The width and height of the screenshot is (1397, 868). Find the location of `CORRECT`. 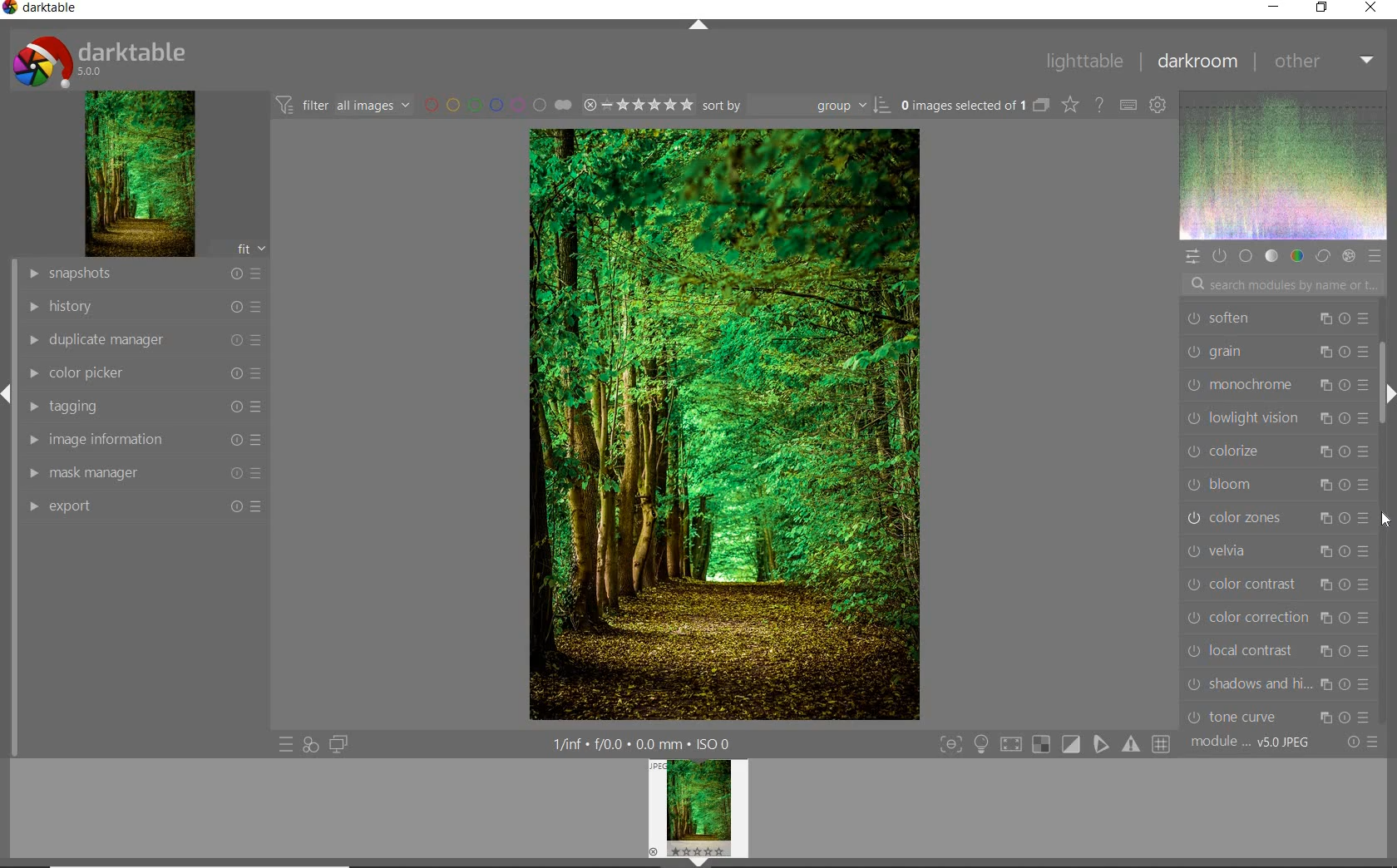

CORRECT is located at coordinates (1323, 257).